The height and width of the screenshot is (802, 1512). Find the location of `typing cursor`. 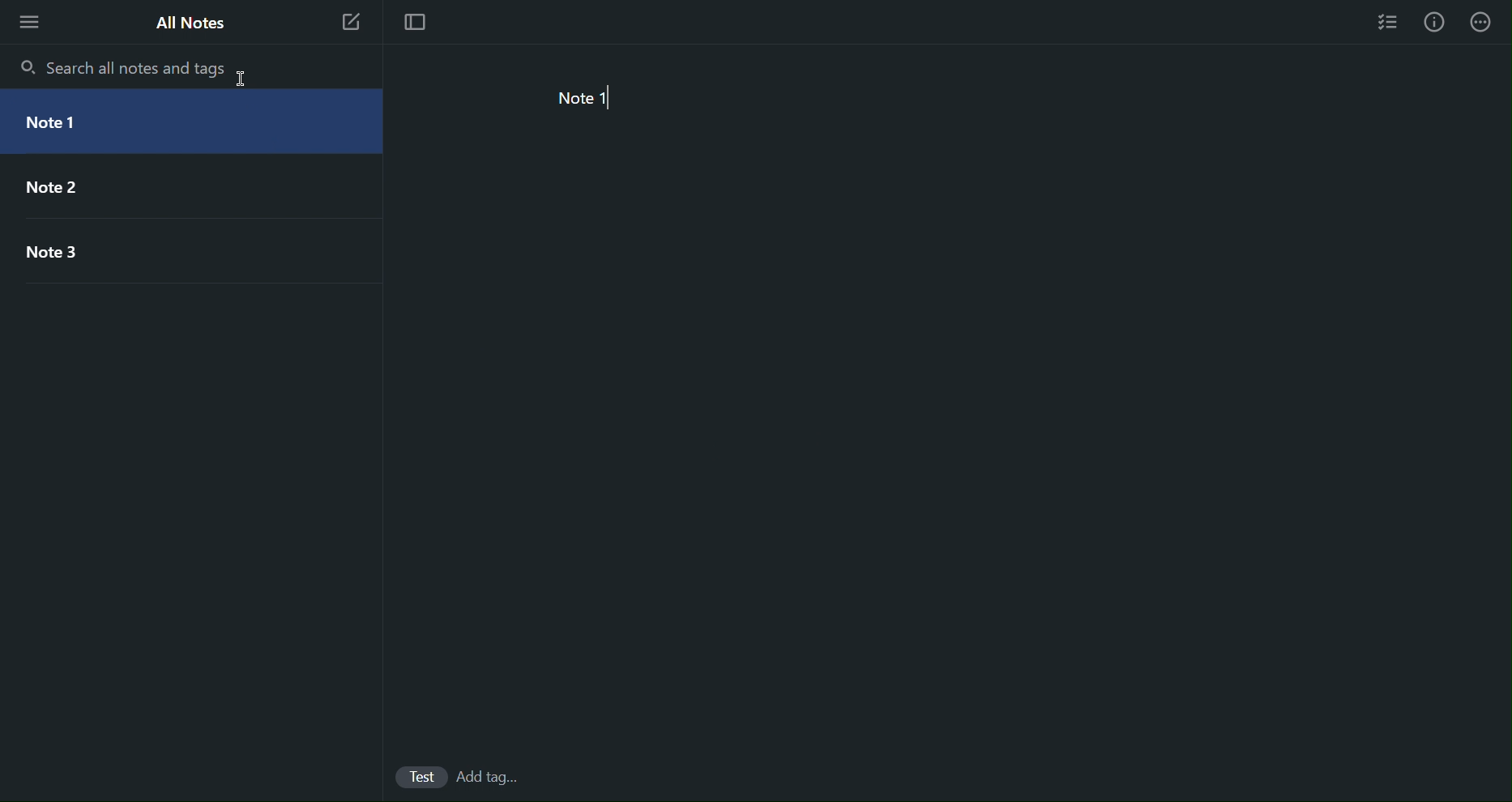

typing cursor is located at coordinates (617, 97).